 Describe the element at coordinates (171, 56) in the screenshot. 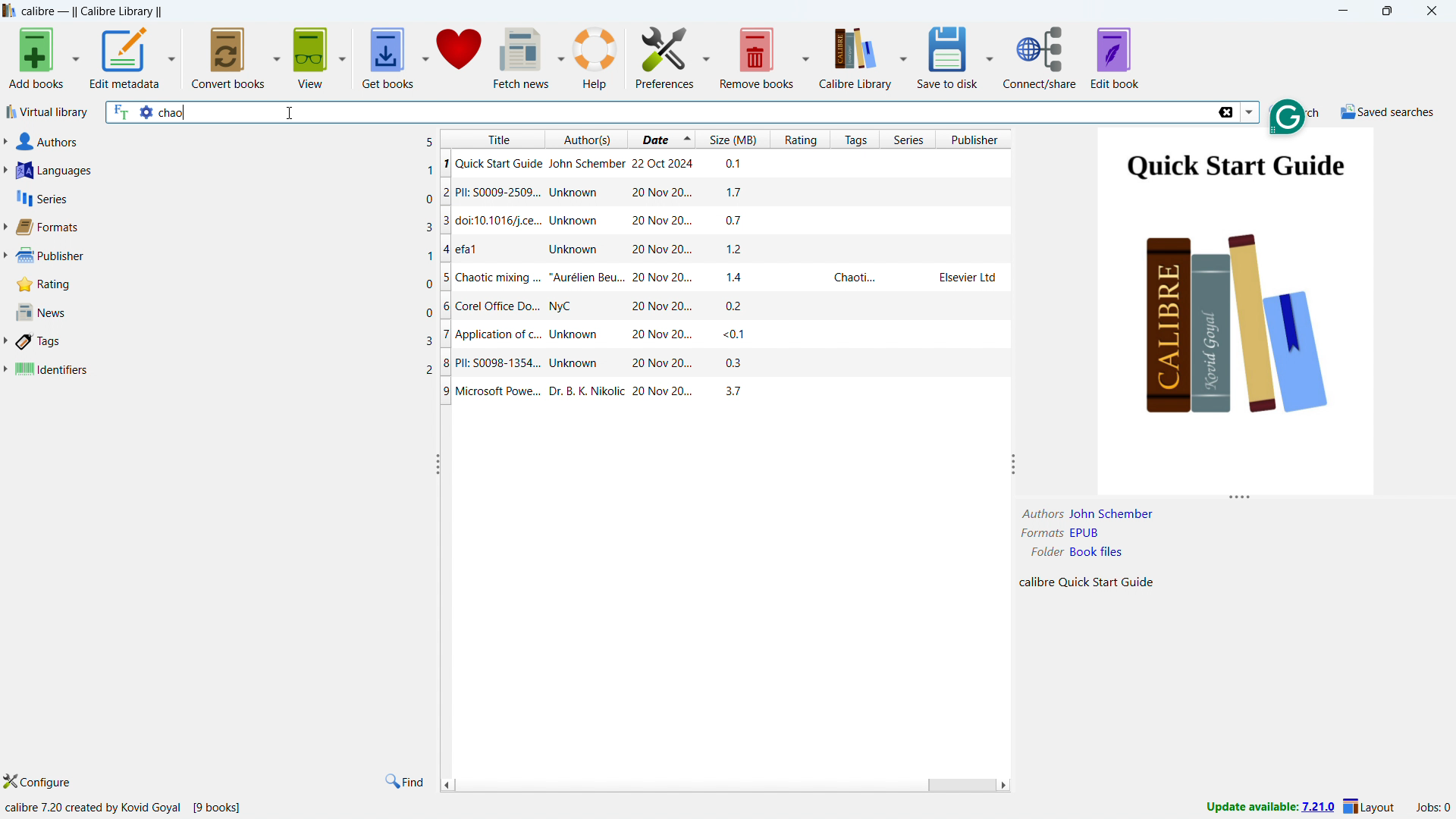

I see `edit metadata options` at that location.